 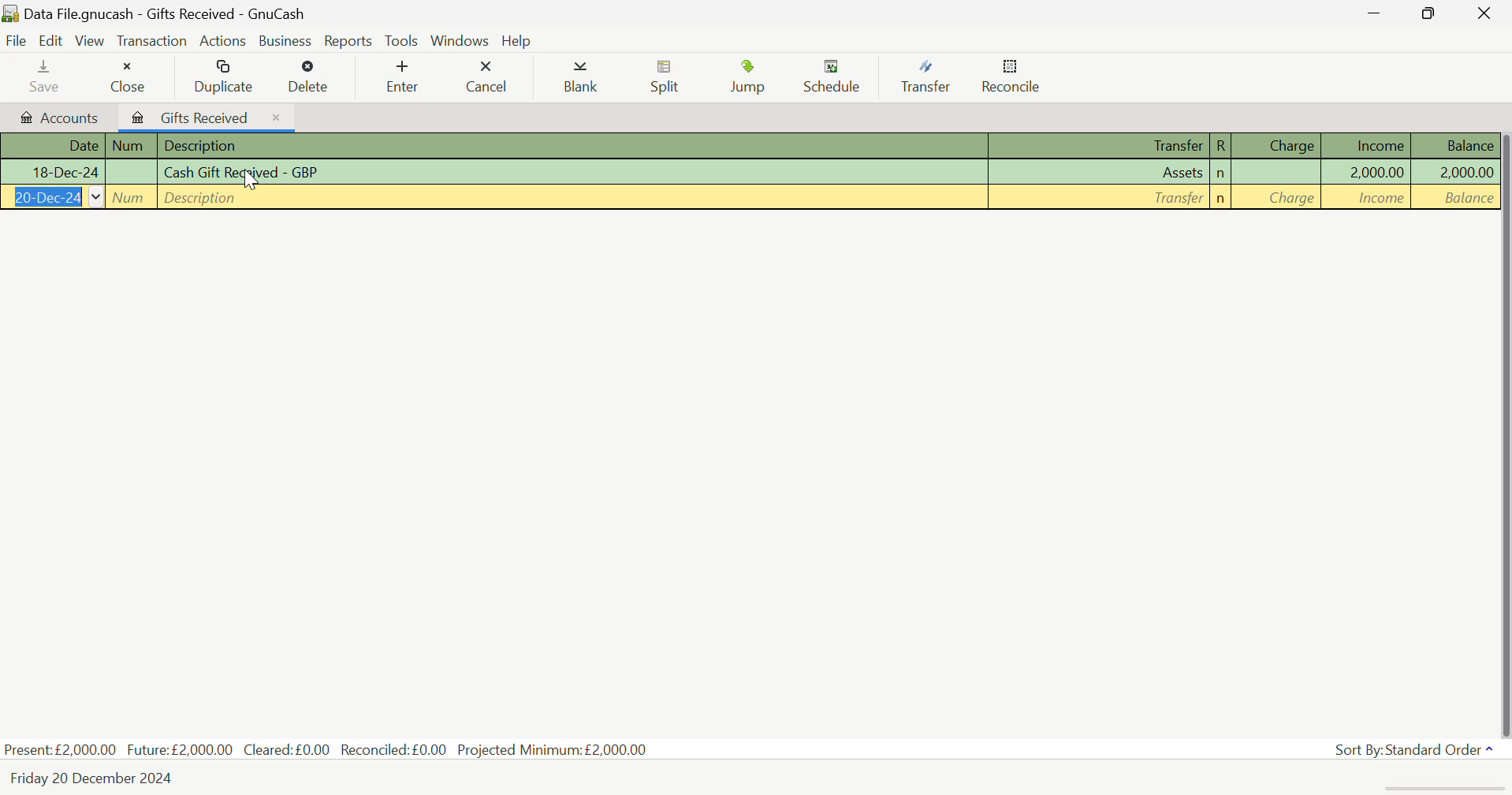 What do you see at coordinates (1369, 198) in the screenshot?
I see `Income` at bounding box center [1369, 198].